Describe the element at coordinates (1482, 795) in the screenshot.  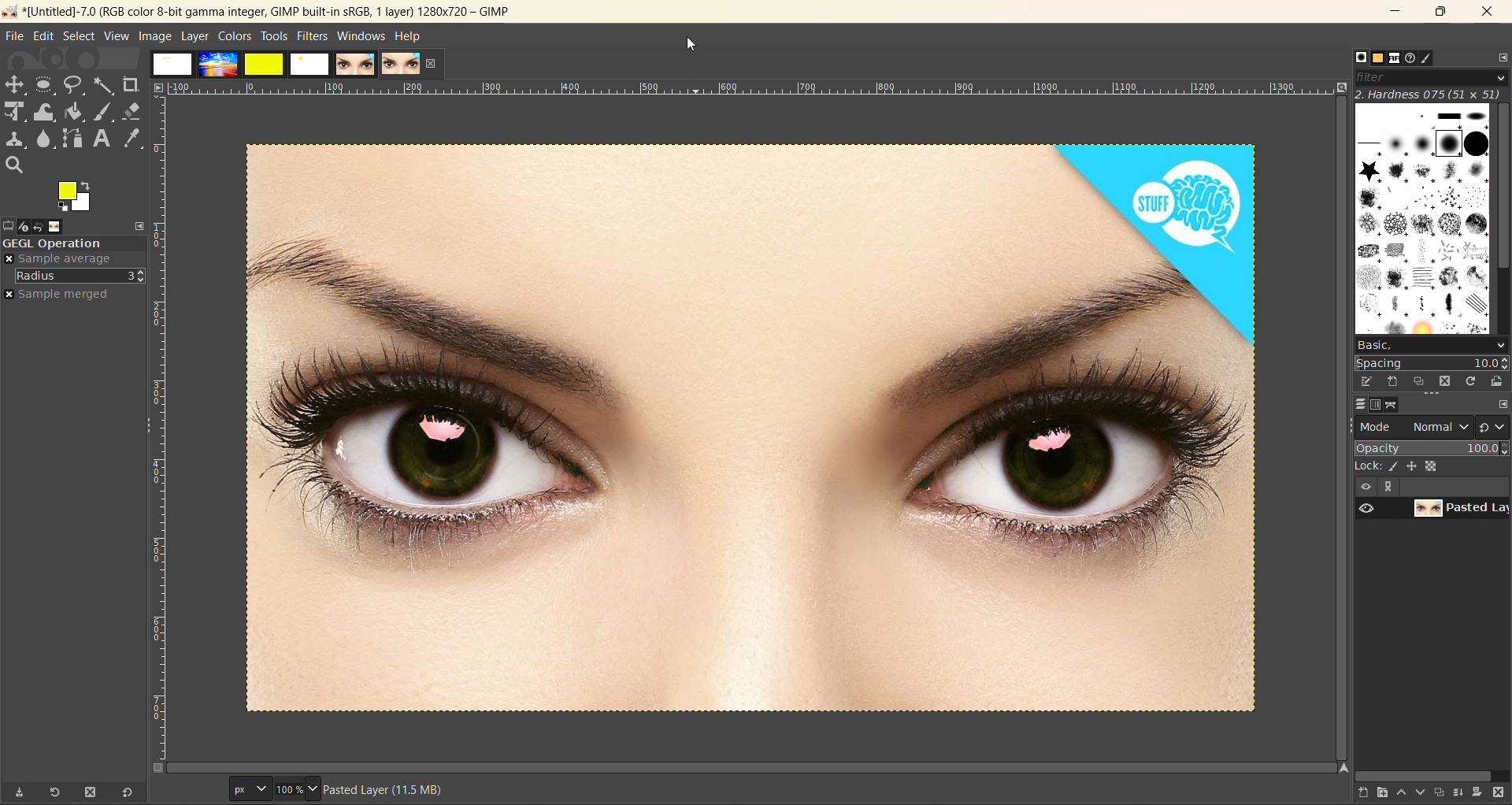
I see `add a mask` at that location.